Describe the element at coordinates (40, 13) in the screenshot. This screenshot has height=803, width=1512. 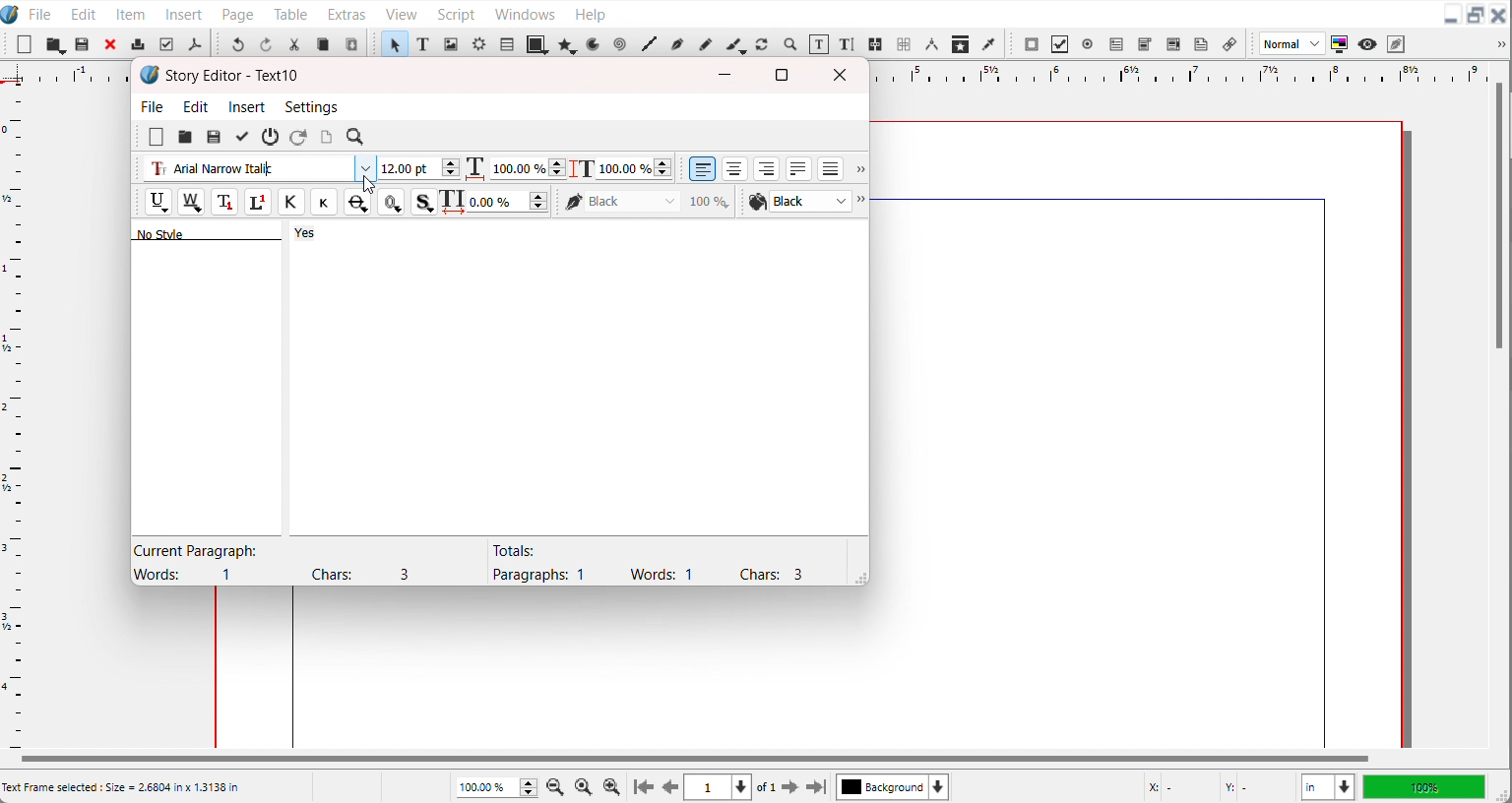
I see `File` at that location.